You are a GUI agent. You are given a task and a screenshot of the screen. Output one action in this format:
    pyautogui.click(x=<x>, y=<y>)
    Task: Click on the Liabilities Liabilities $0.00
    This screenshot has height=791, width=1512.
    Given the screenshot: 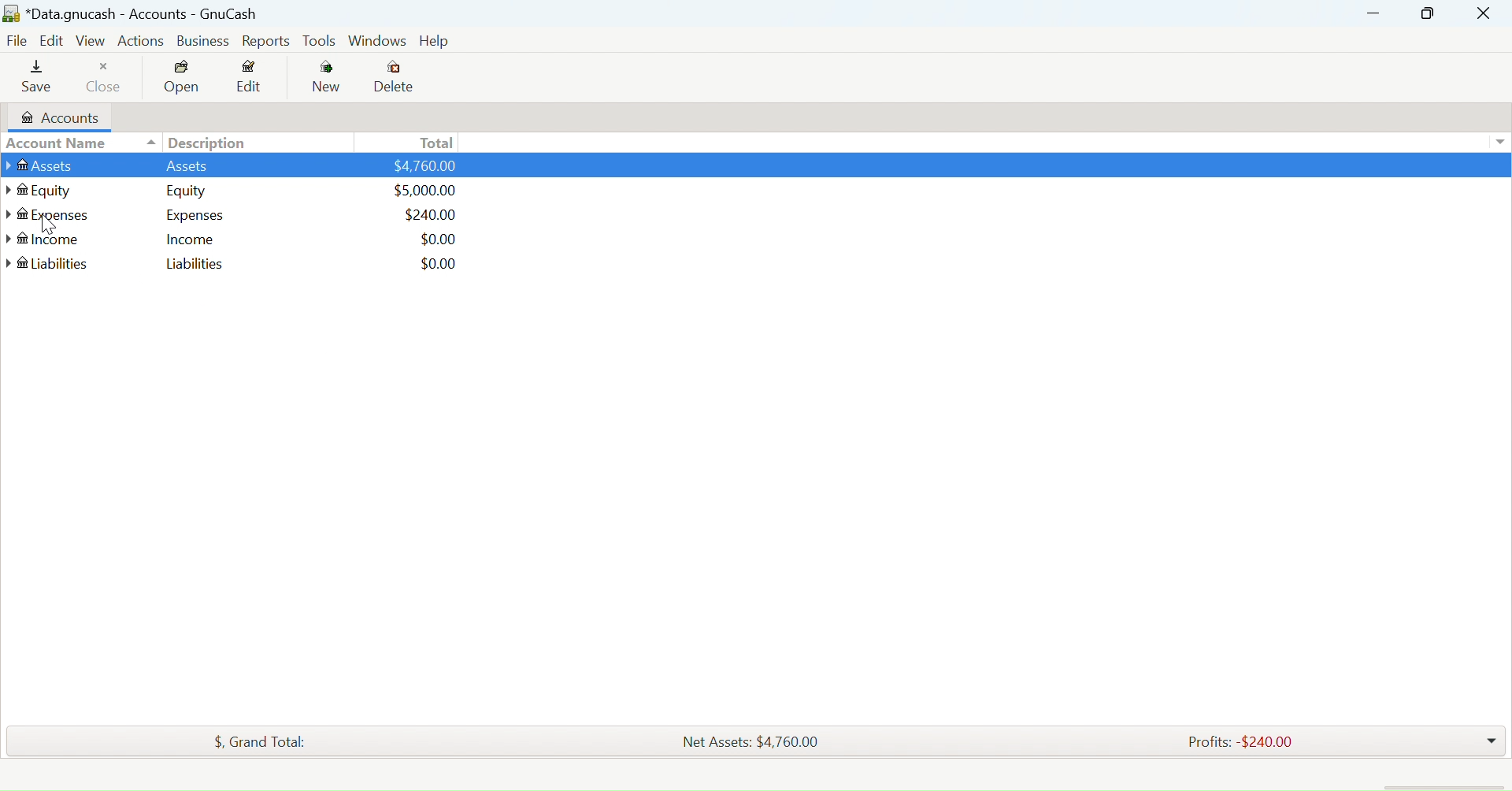 What is the action you would take?
    pyautogui.click(x=249, y=265)
    